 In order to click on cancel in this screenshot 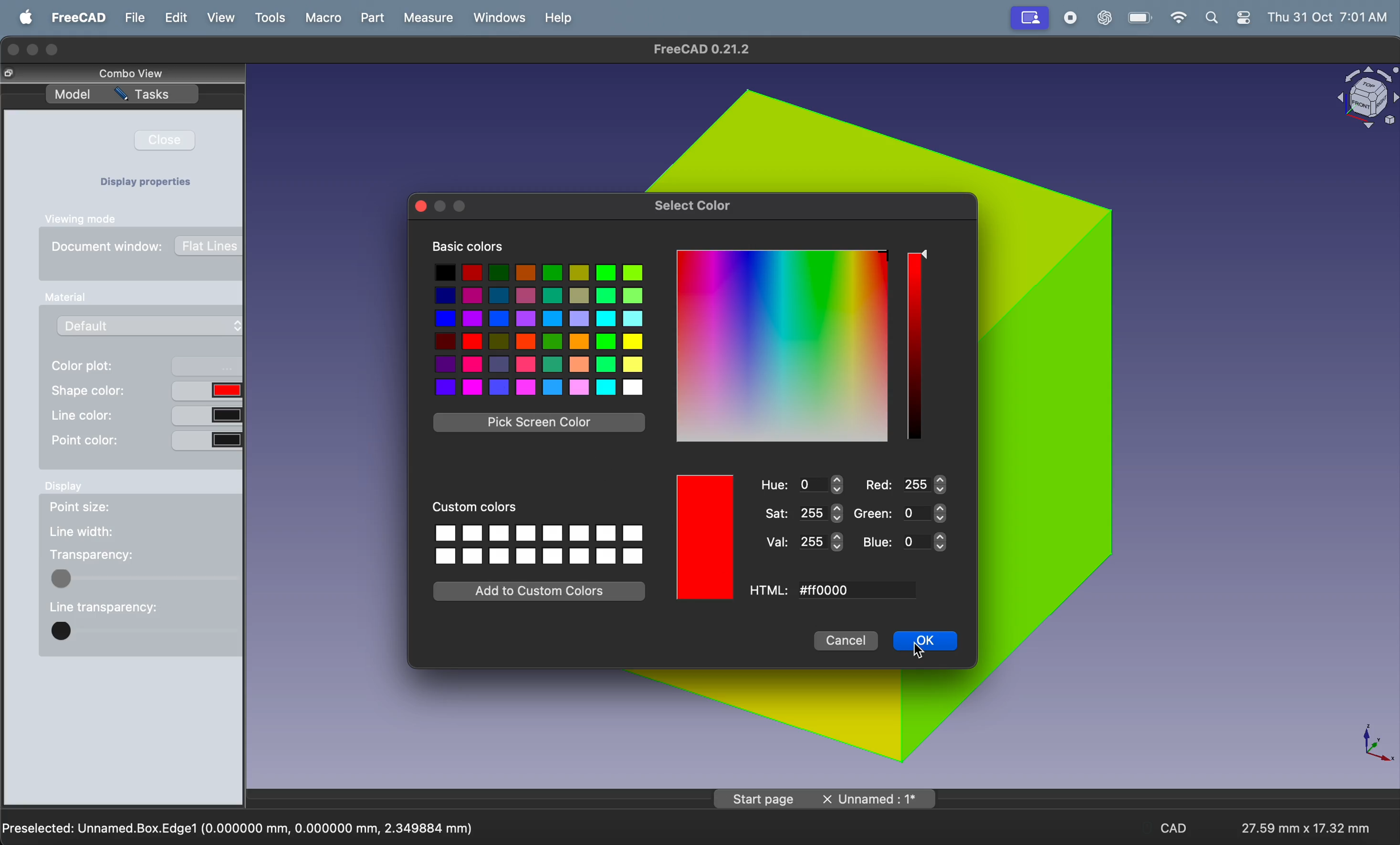, I will do `click(847, 642)`.